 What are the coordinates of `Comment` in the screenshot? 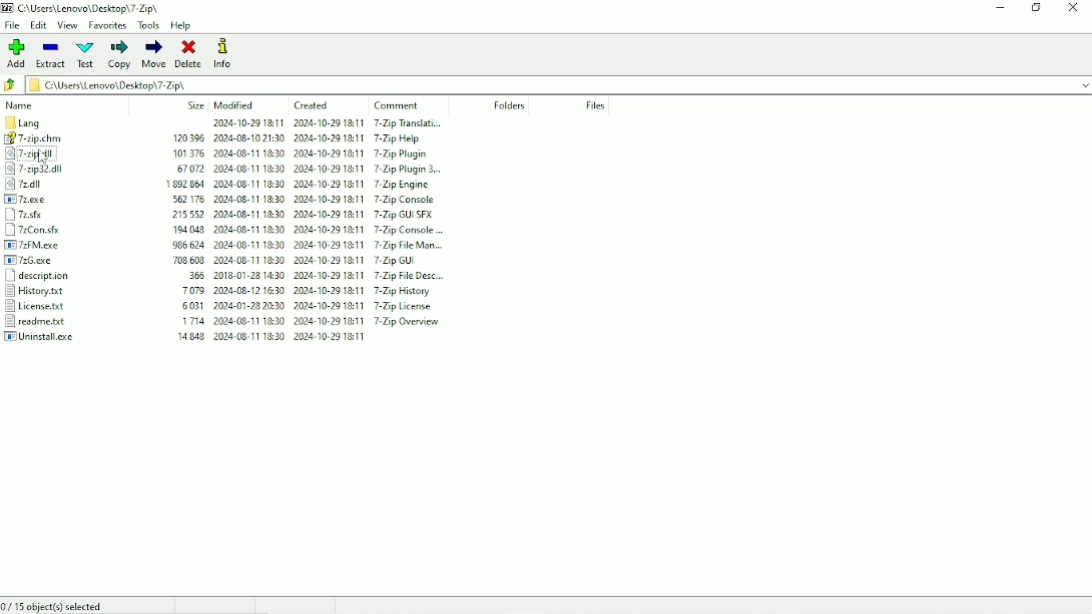 It's located at (399, 105).